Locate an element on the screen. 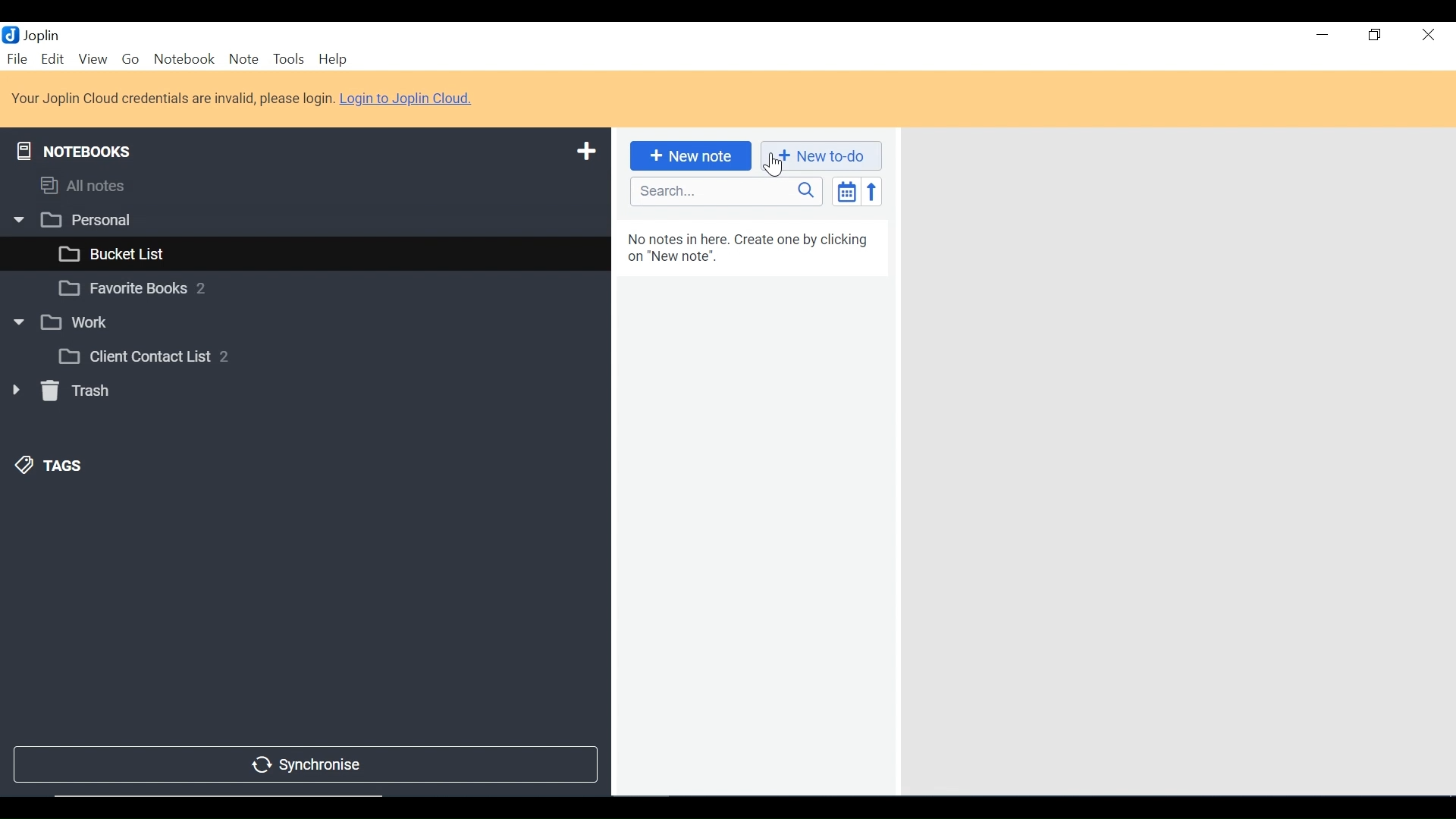  Add New Note is located at coordinates (689, 156).